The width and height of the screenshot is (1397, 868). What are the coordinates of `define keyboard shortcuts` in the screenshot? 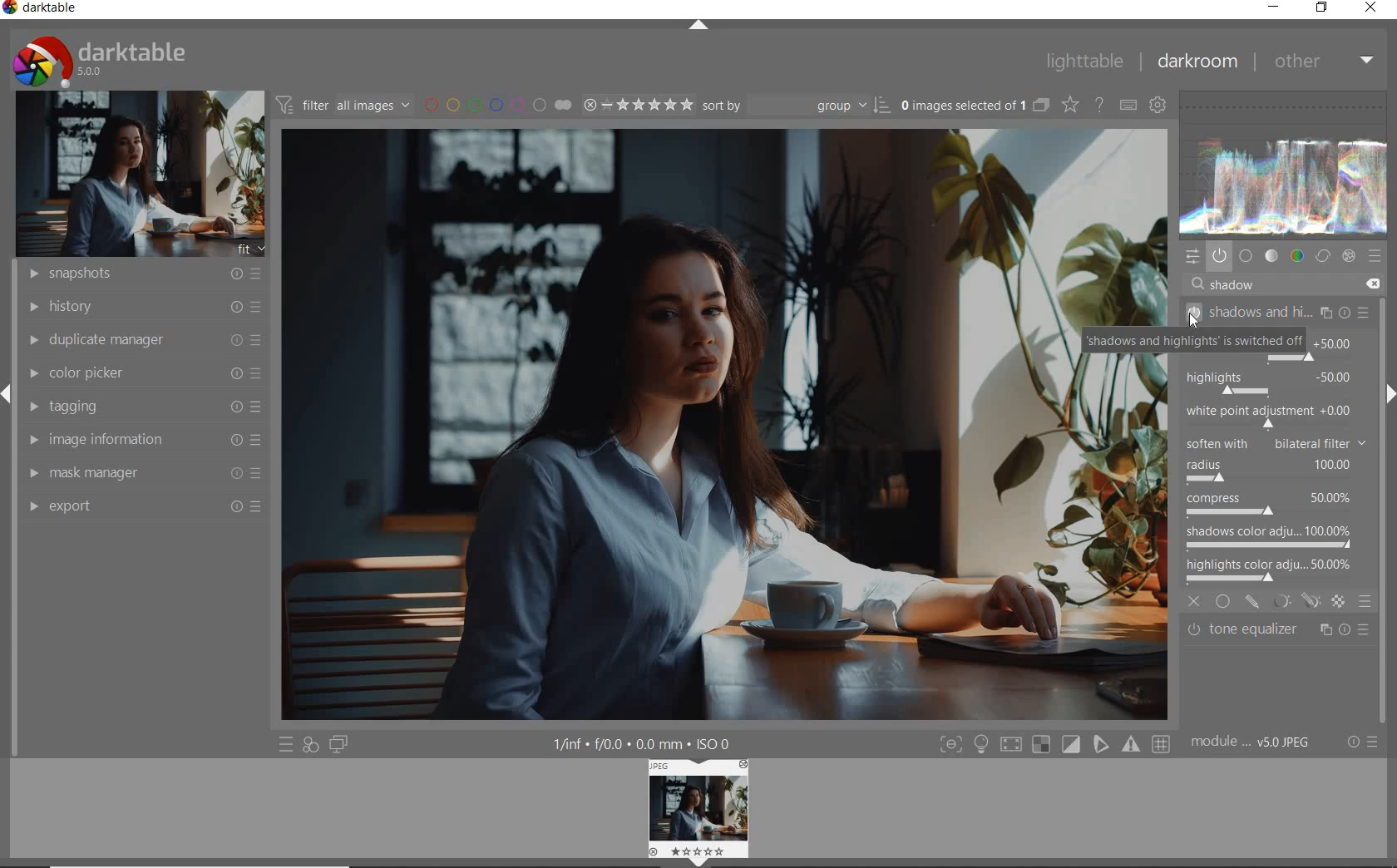 It's located at (1128, 106).